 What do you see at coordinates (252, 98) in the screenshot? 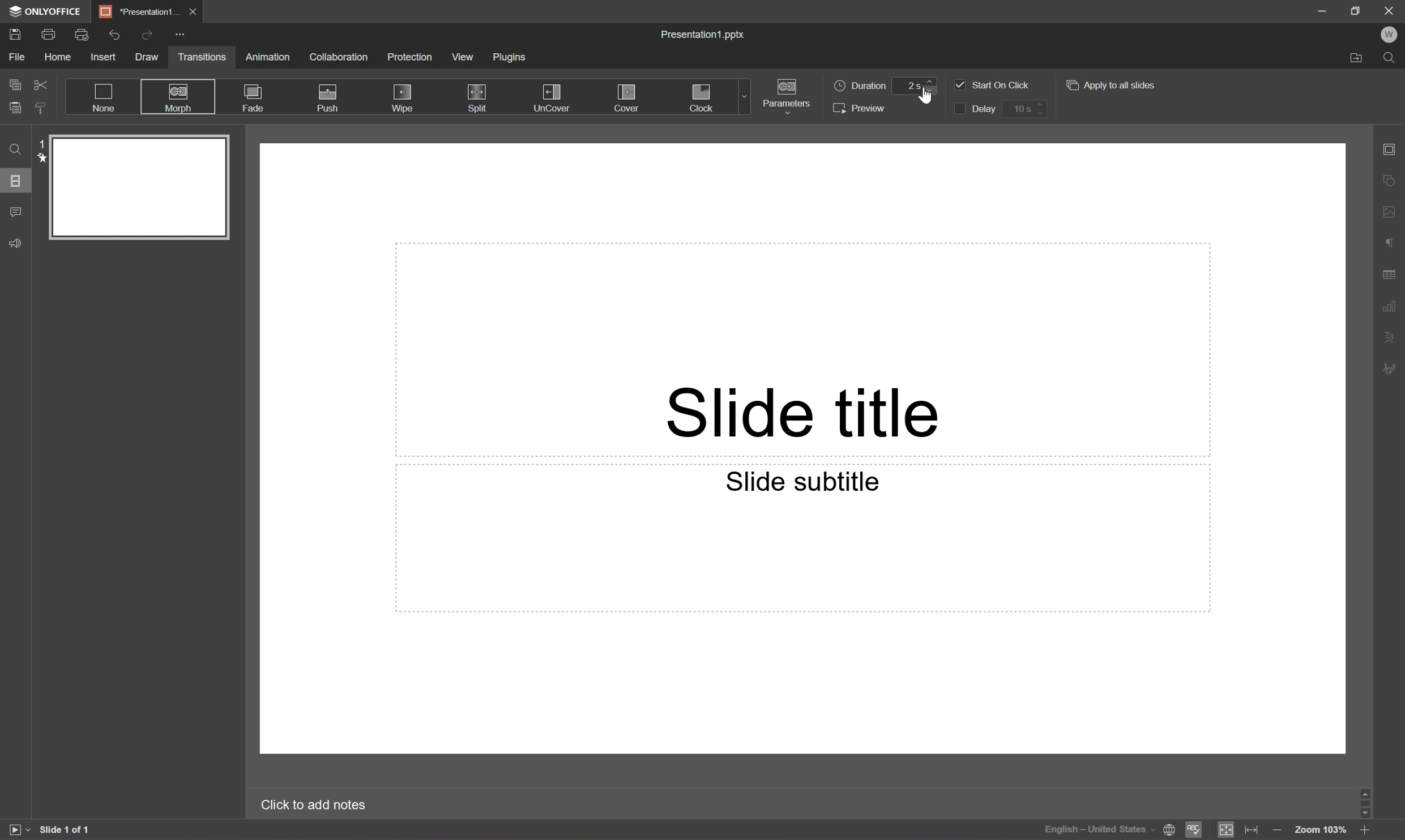
I see `Fade` at bounding box center [252, 98].